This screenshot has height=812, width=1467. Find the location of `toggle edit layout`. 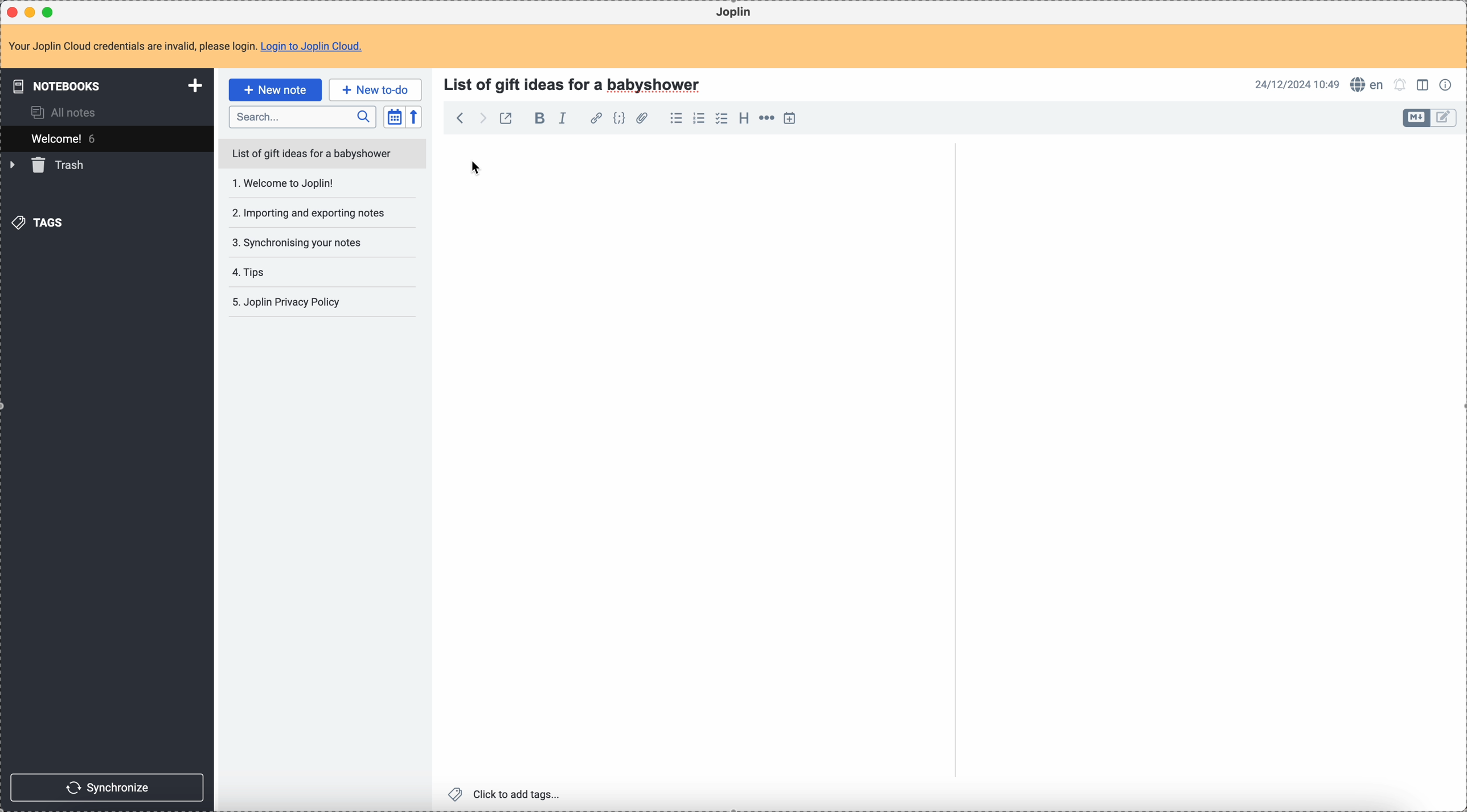

toggle edit layout is located at coordinates (1416, 118).